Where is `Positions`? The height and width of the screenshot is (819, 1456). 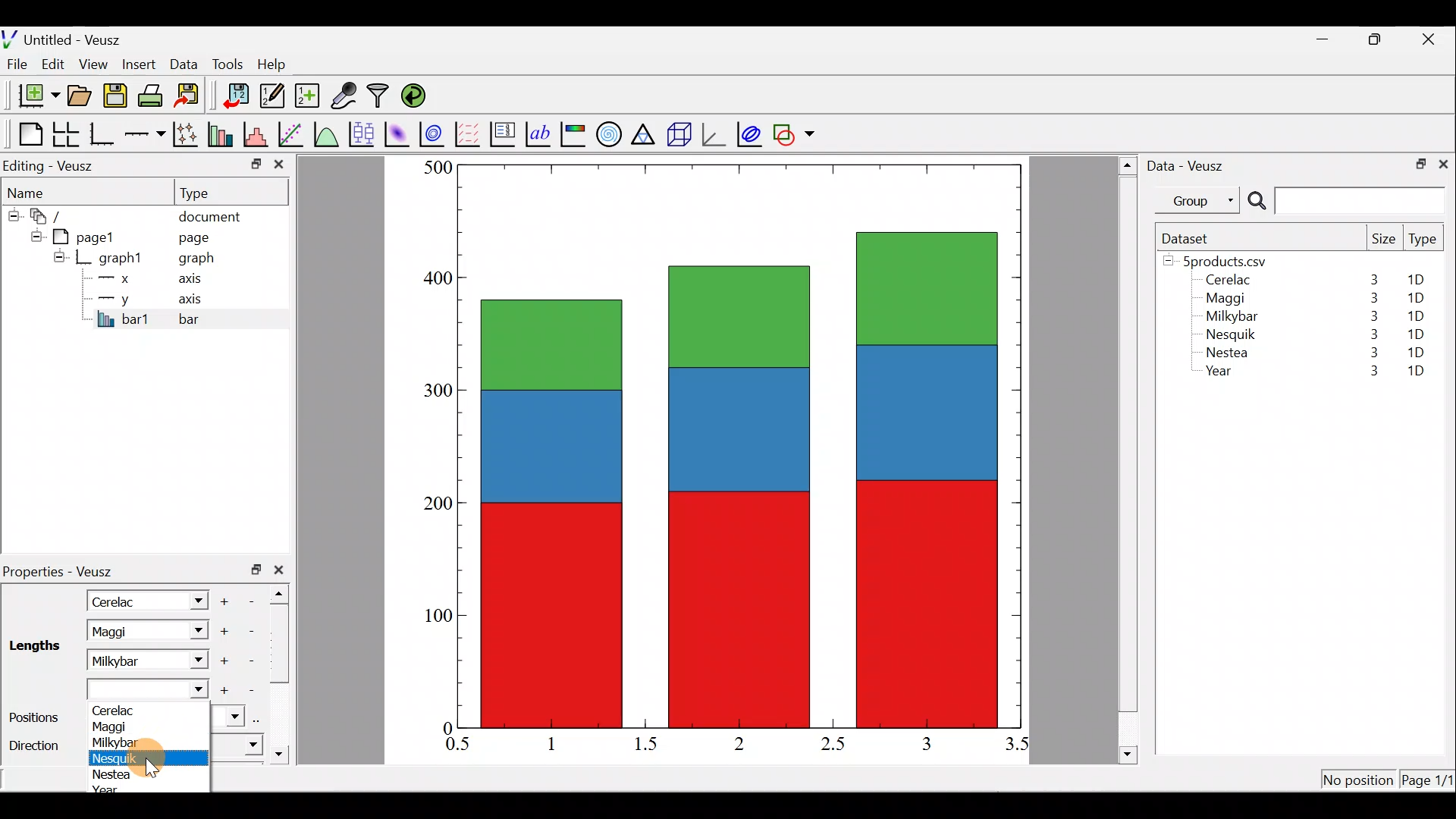
Positions is located at coordinates (37, 717).